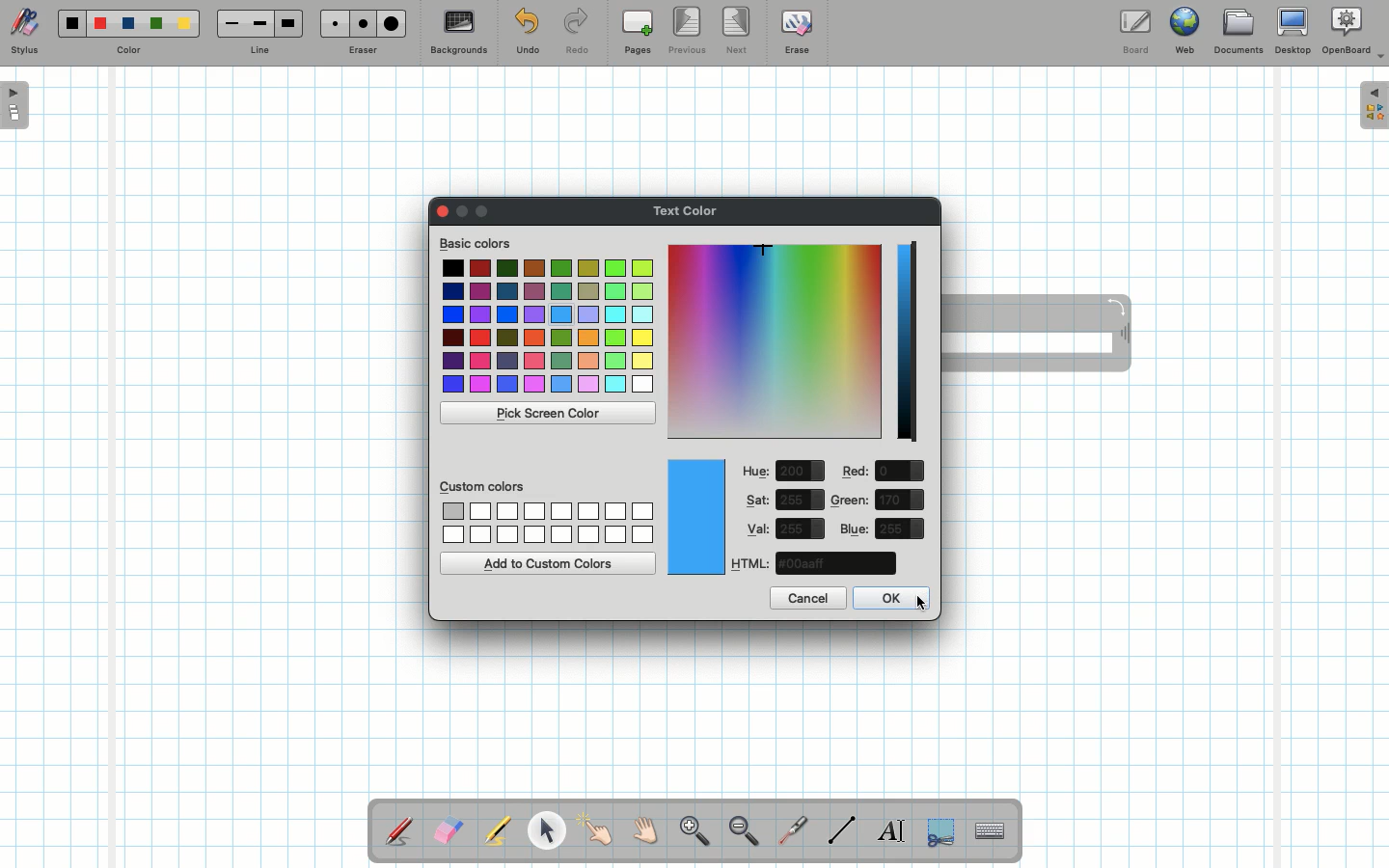  I want to click on Blue, so click(855, 529).